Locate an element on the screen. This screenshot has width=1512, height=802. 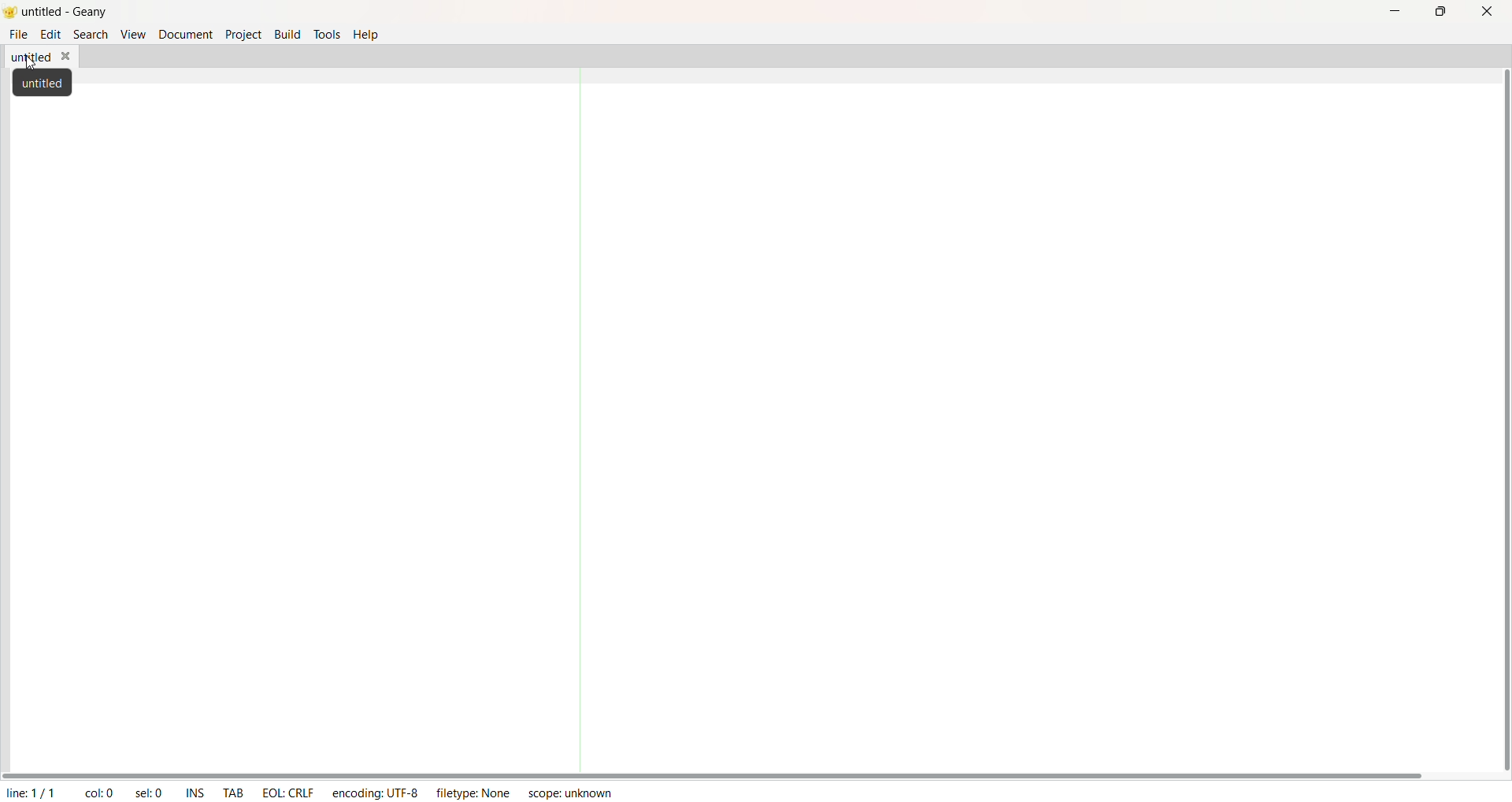
col:0 is located at coordinates (100, 792).